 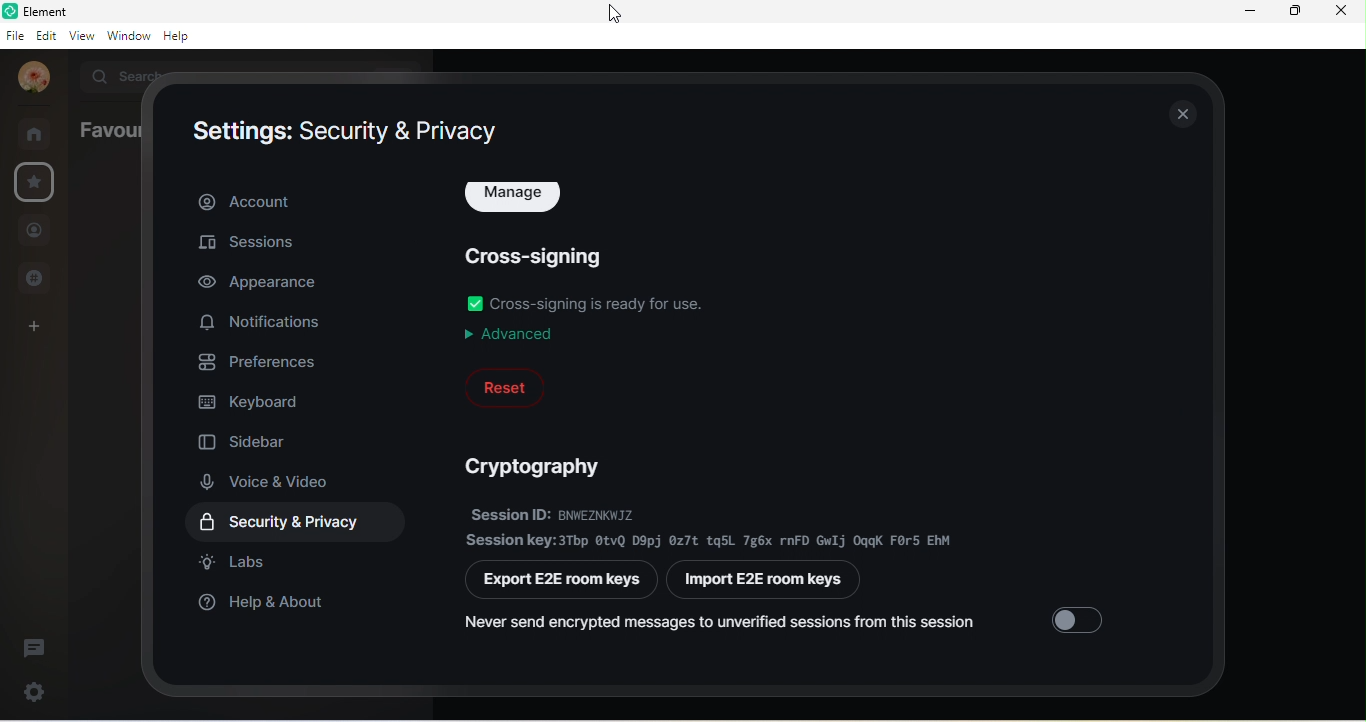 I want to click on account, so click(x=298, y=200).